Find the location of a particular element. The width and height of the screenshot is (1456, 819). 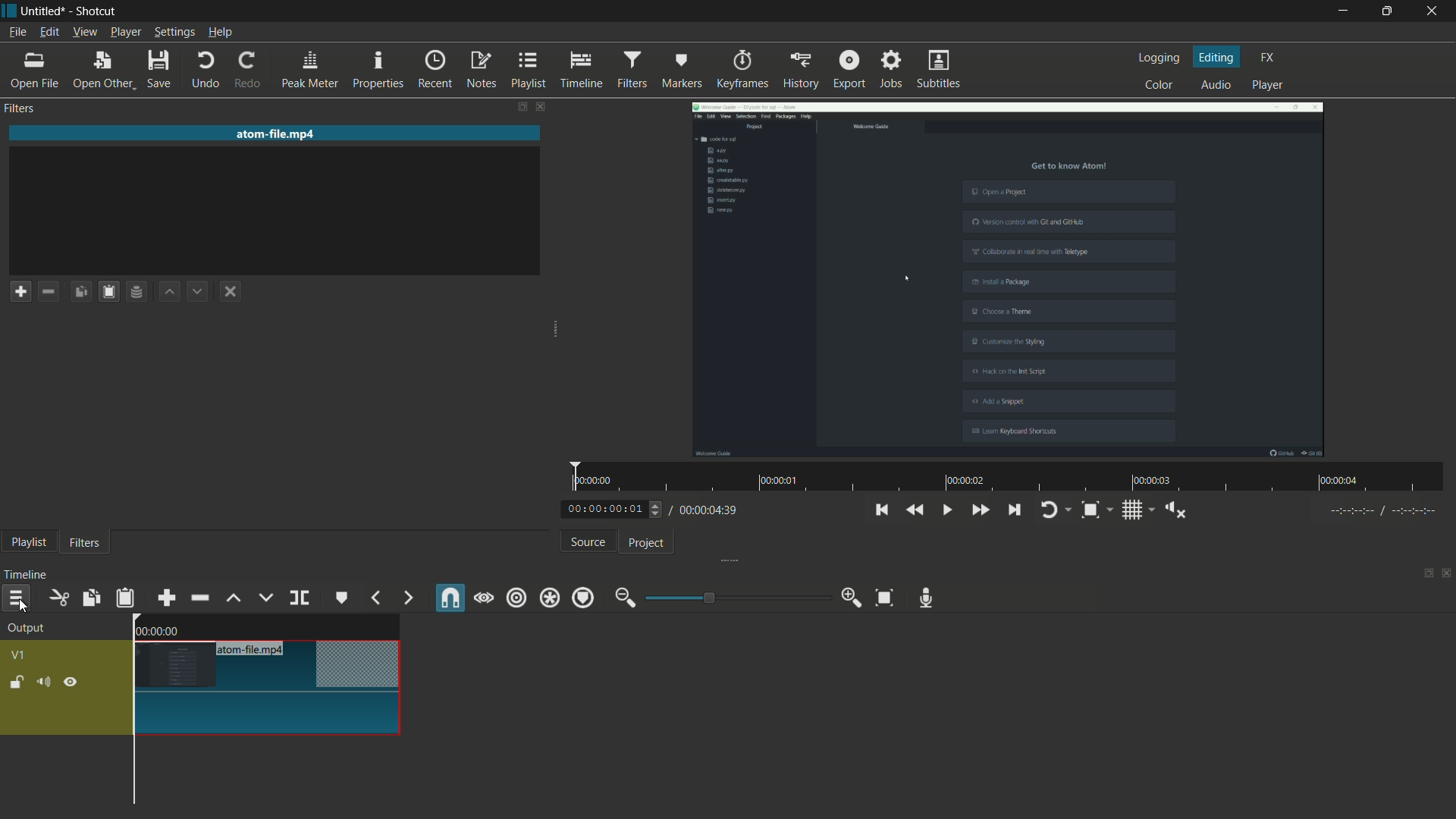

previous marker is located at coordinates (376, 598).